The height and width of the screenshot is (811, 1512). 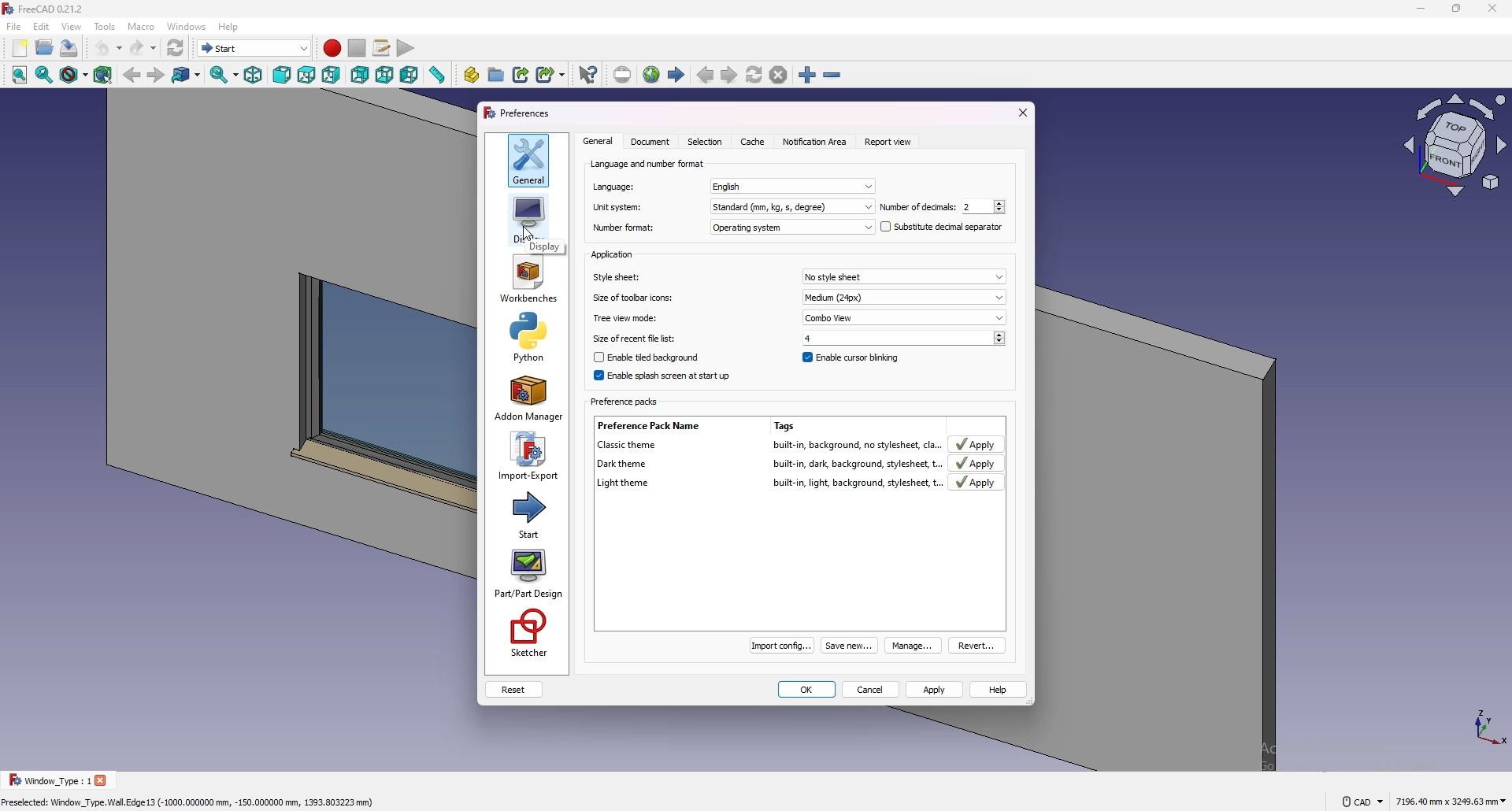 I want to click on built-in, dark, background, stylesheet, t., so click(x=856, y=463).